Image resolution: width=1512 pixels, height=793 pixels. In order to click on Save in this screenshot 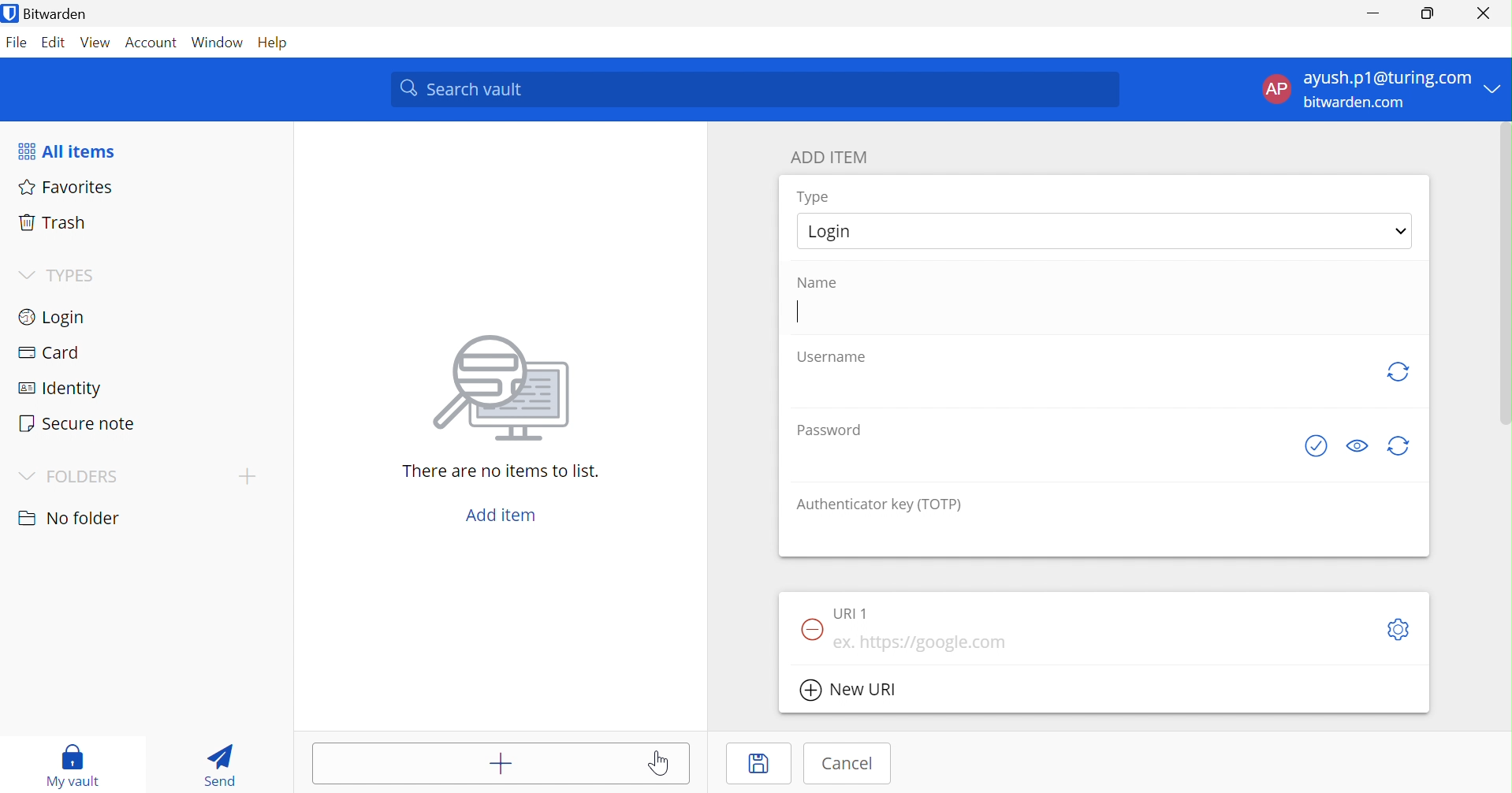, I will do `click(763, 765)`.